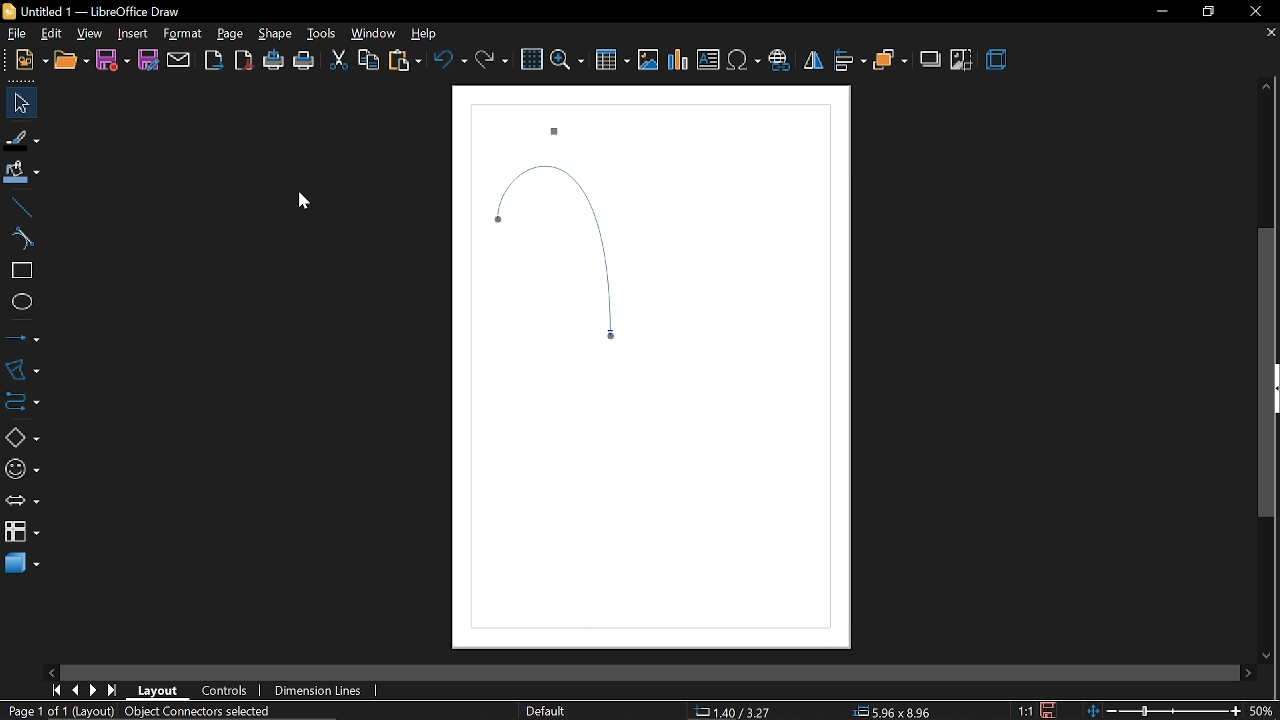 Image resolution: width=1280 pixels, height=720 pixels. What do you see at coordinates (74, 691) in the screenshot?
I see `previous page` at bounding box center [74, 691].